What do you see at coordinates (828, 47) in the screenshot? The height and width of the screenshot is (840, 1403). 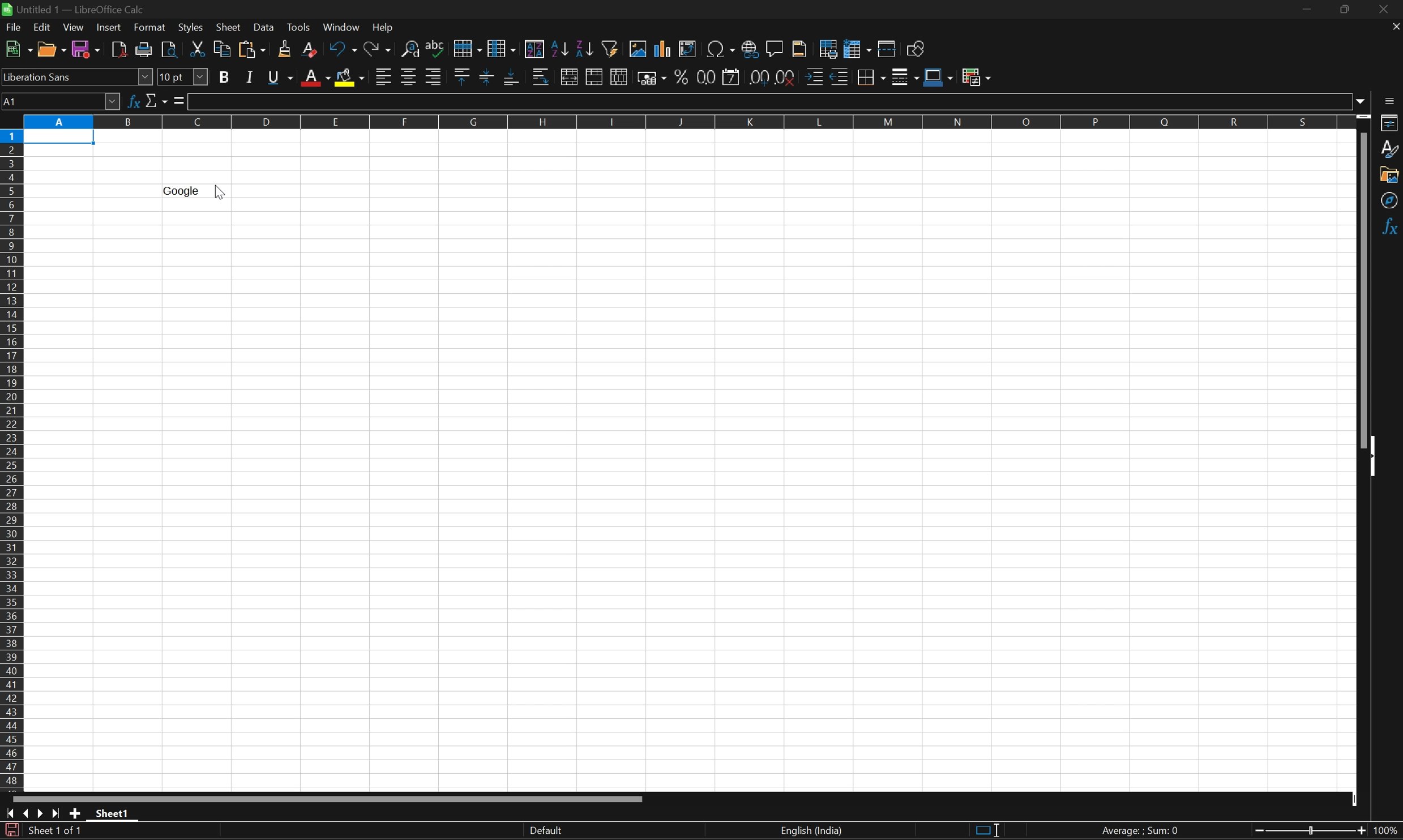 I see `Define print area` at bounding box center [828, 47].